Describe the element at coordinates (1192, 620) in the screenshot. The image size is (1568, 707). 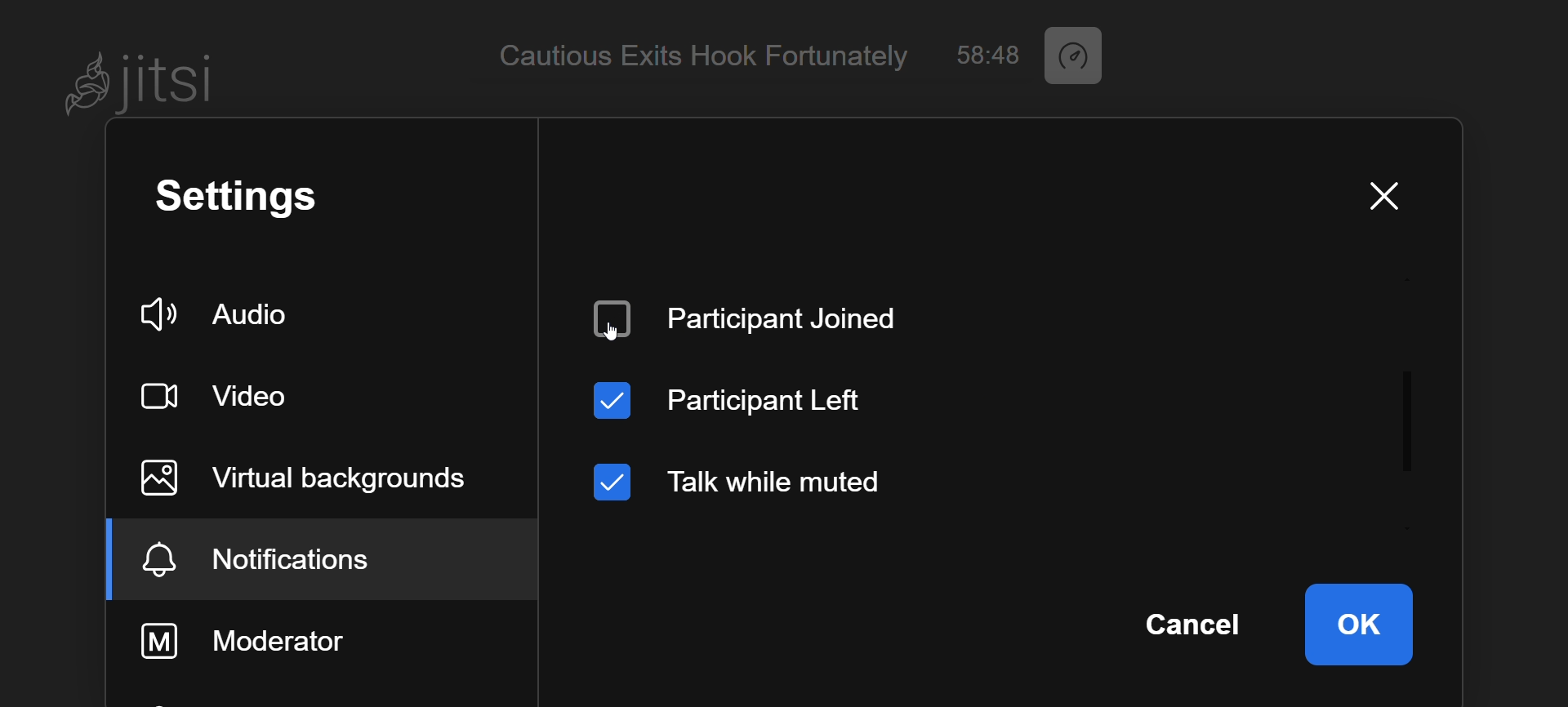
I see `cancel` at that location.